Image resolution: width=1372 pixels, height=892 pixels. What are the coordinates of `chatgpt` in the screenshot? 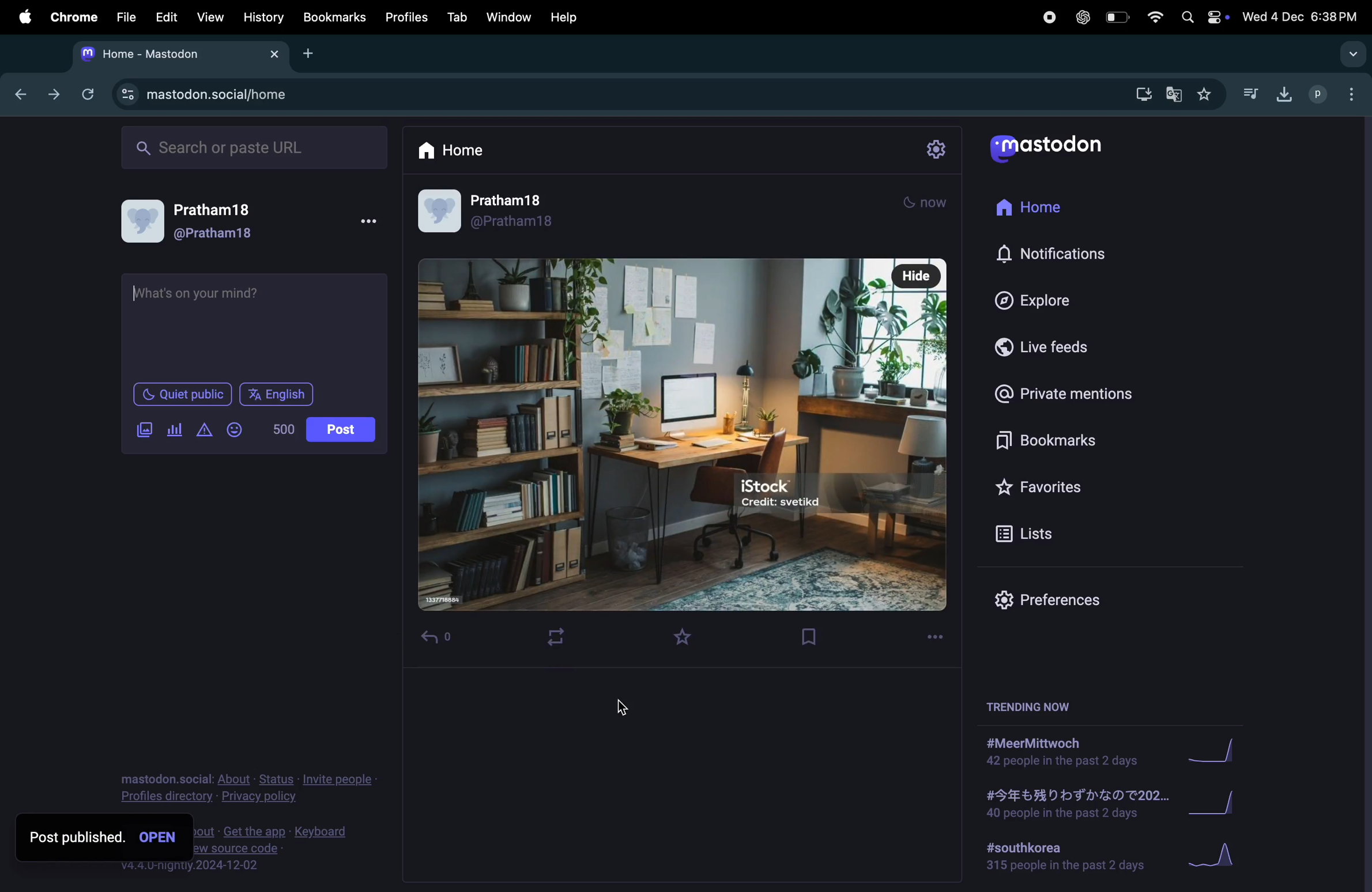 It's located at (1081, 17).